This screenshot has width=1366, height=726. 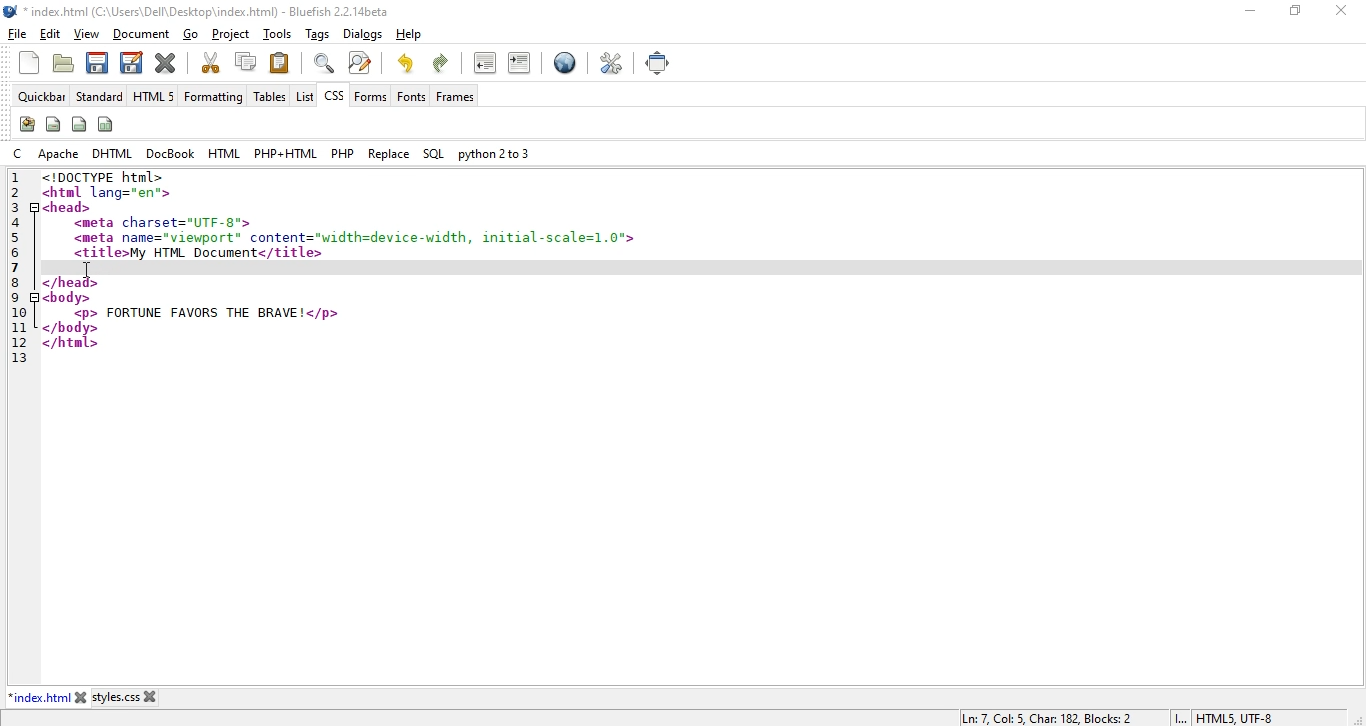 I want to click on 1, so click(x=15, y=178).